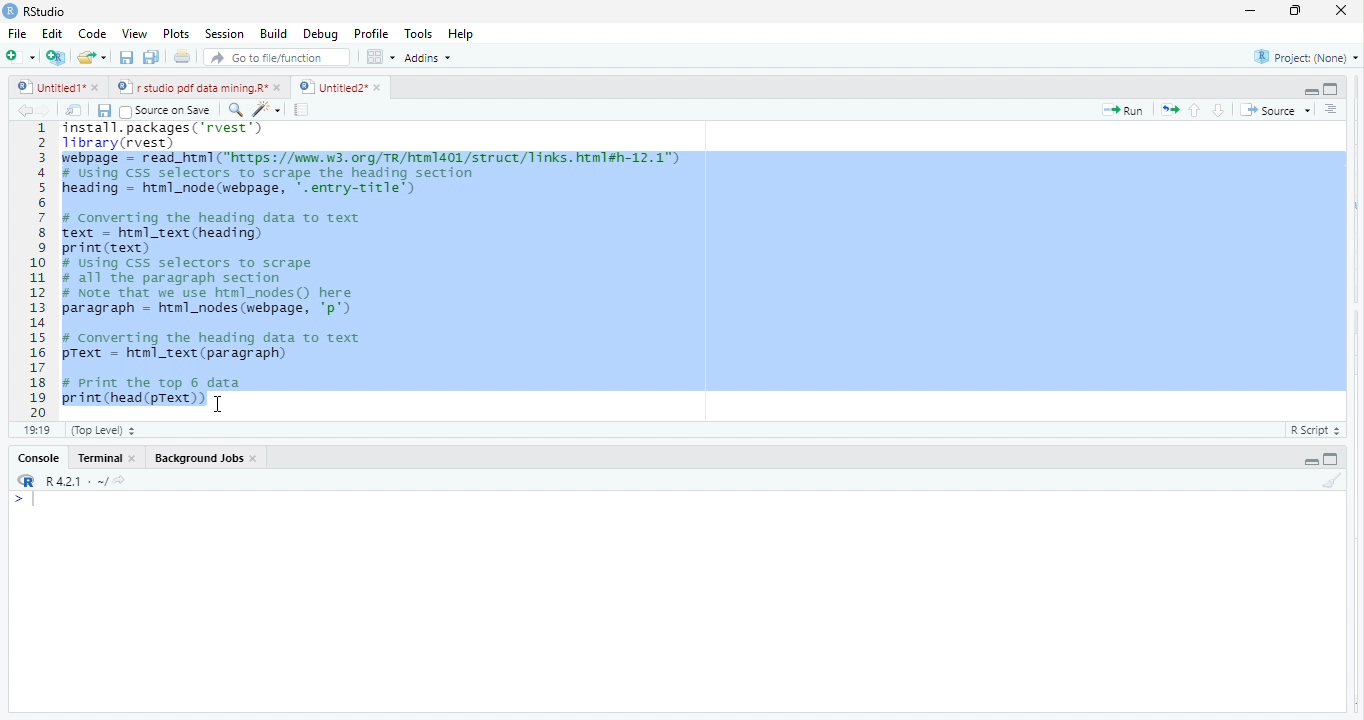  I want to click on close, so click(98, 89).